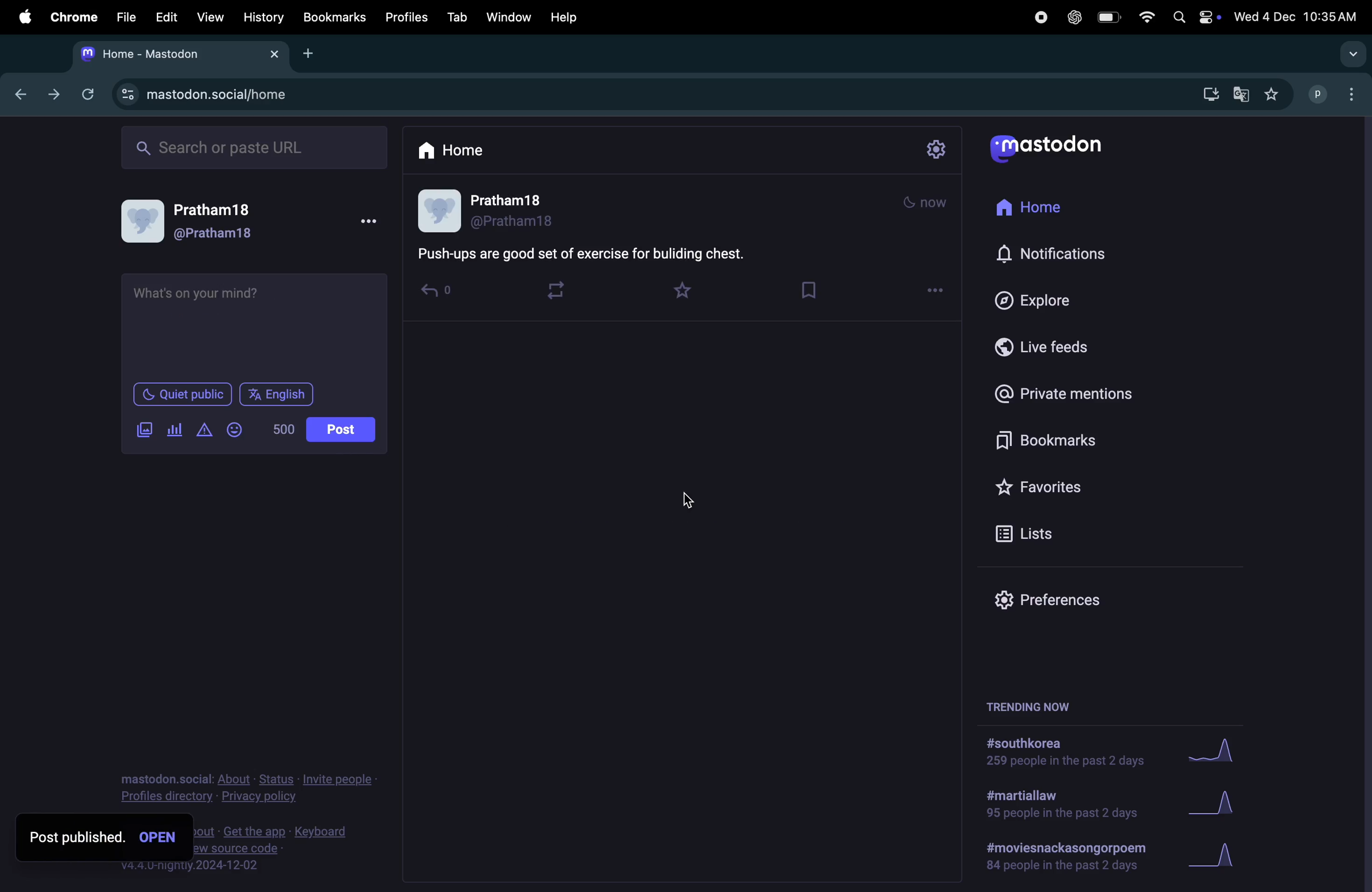 The width and height of the screenshot is (1372, 892). I want to click on add tab, so click(310, 52).